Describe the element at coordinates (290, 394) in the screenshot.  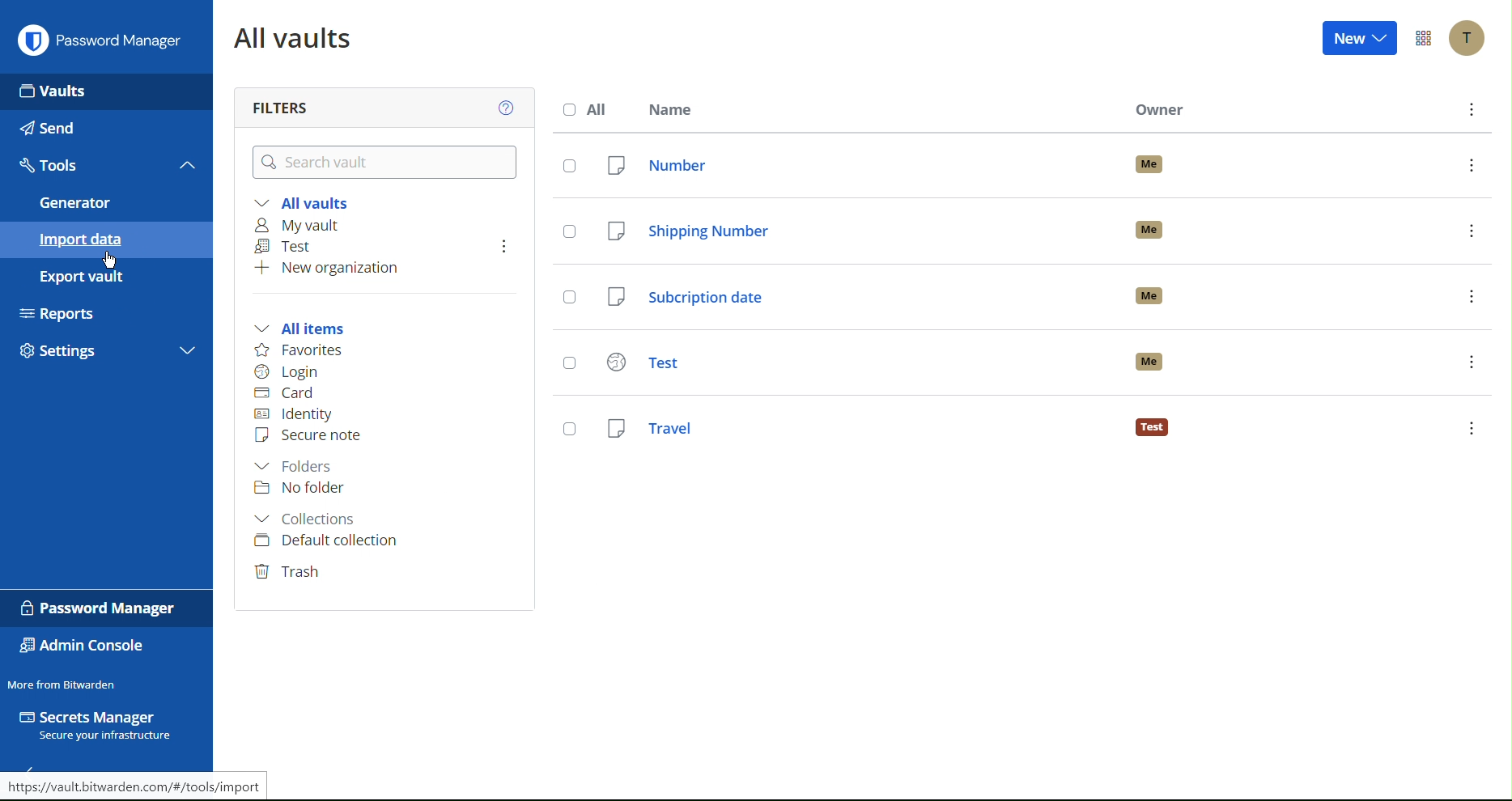
I see `Card` at that location.